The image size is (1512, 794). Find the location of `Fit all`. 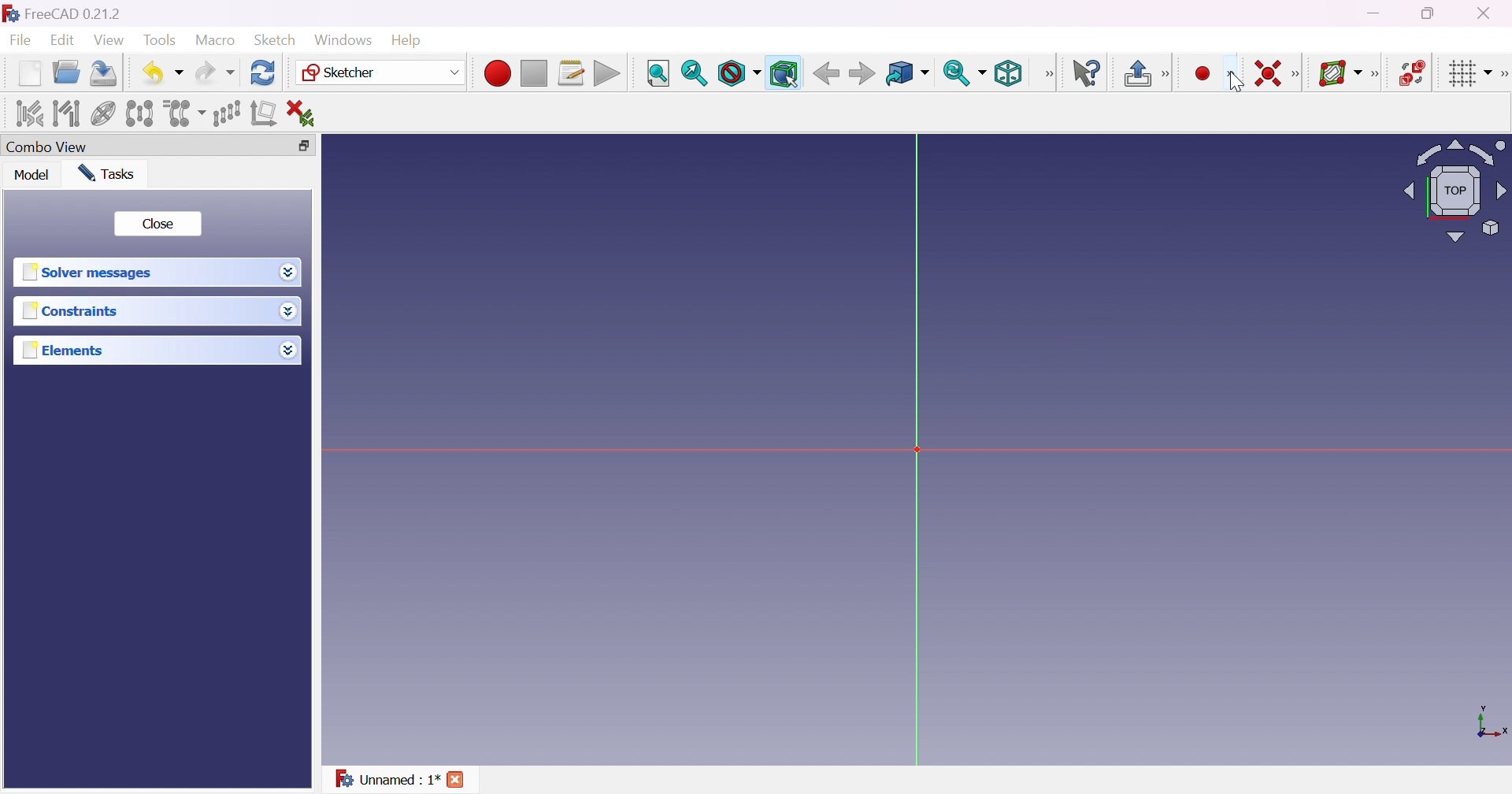

Fit all is located at coordinates (657, 72).